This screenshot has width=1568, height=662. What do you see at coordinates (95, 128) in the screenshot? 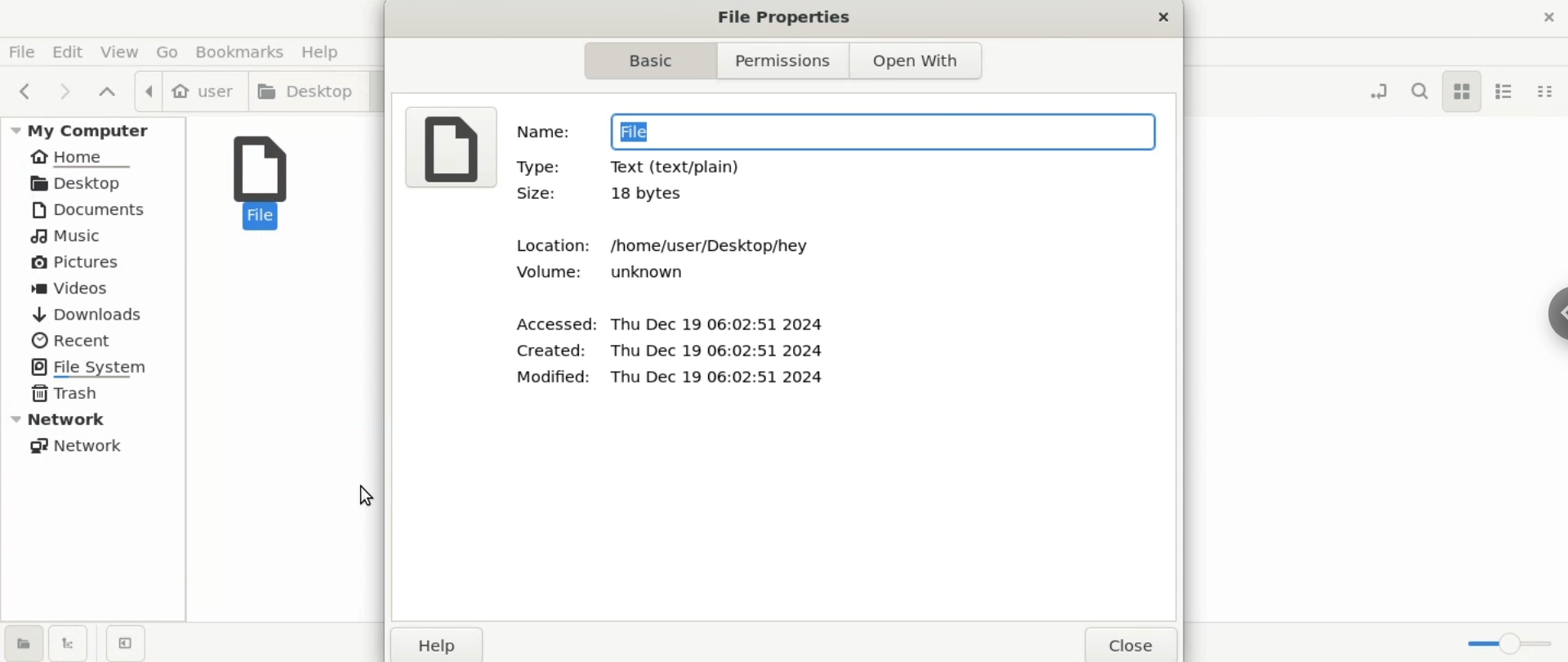
I see `mycomputre` at bounding box center [95, 128].